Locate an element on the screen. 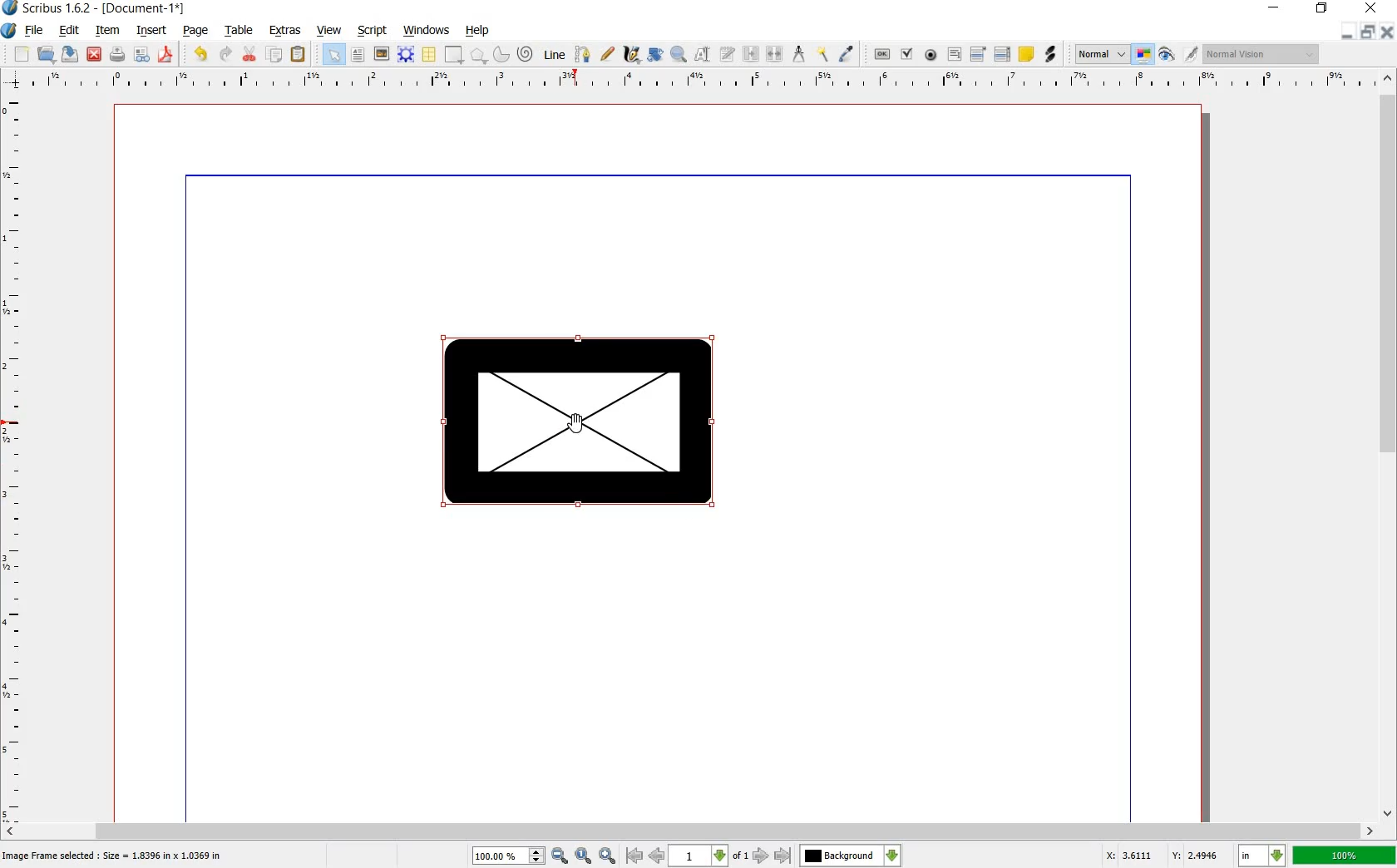 This screenshot has height=868, width=1397. unlink text frames is located at coordinates (776, 52).